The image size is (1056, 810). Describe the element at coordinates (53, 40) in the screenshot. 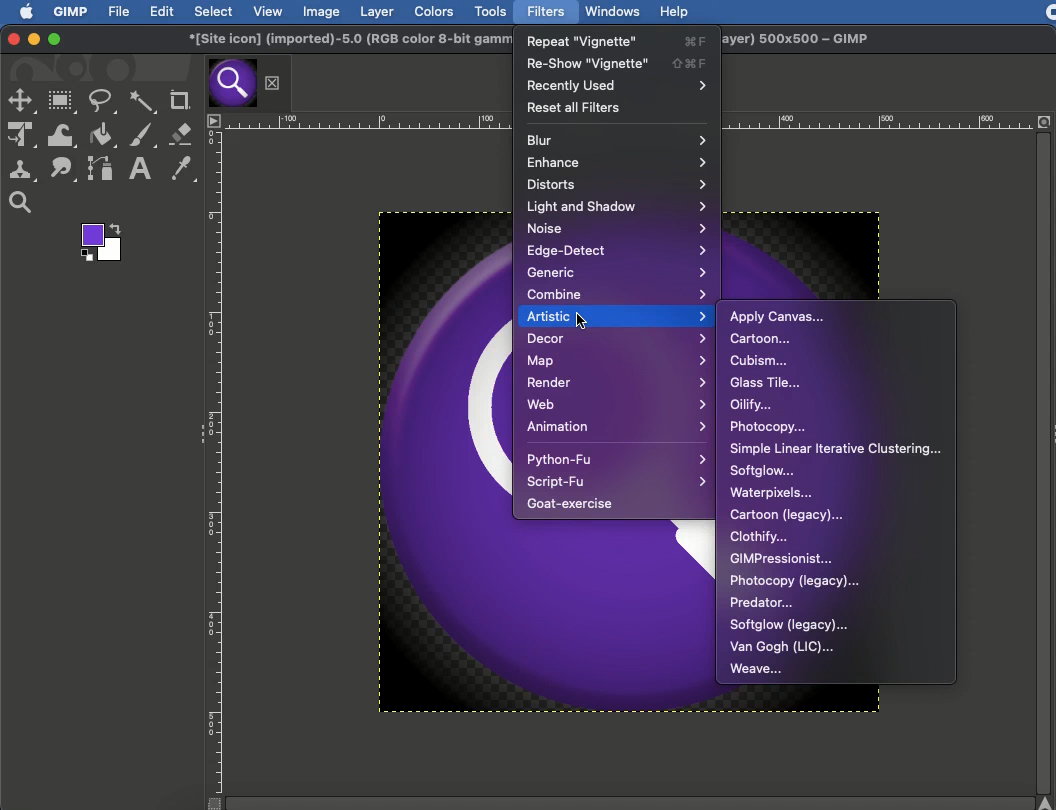

I see `Maximize` at that location.